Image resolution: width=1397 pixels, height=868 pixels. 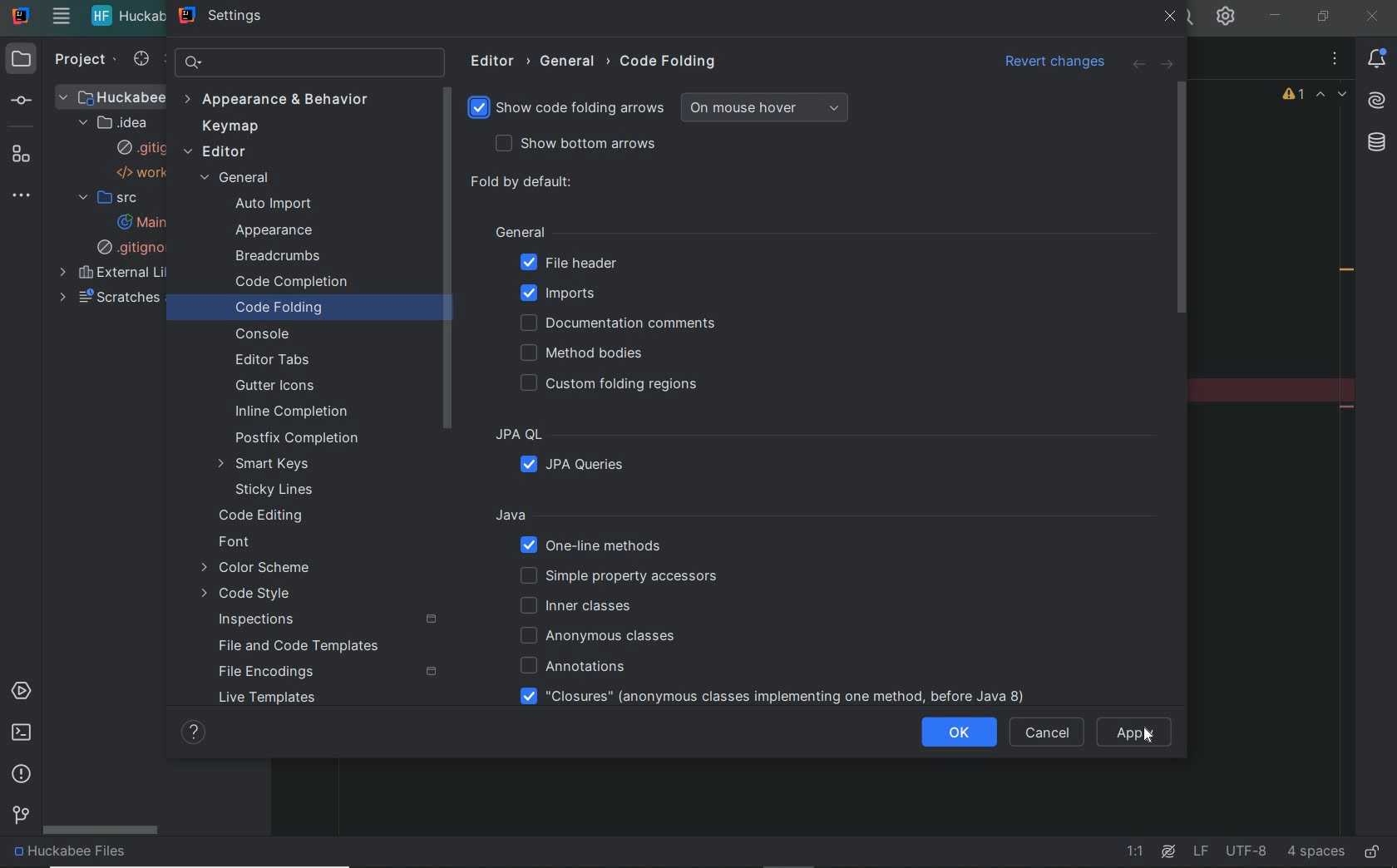 I want to click on annotations, so click(x=566, y=665).